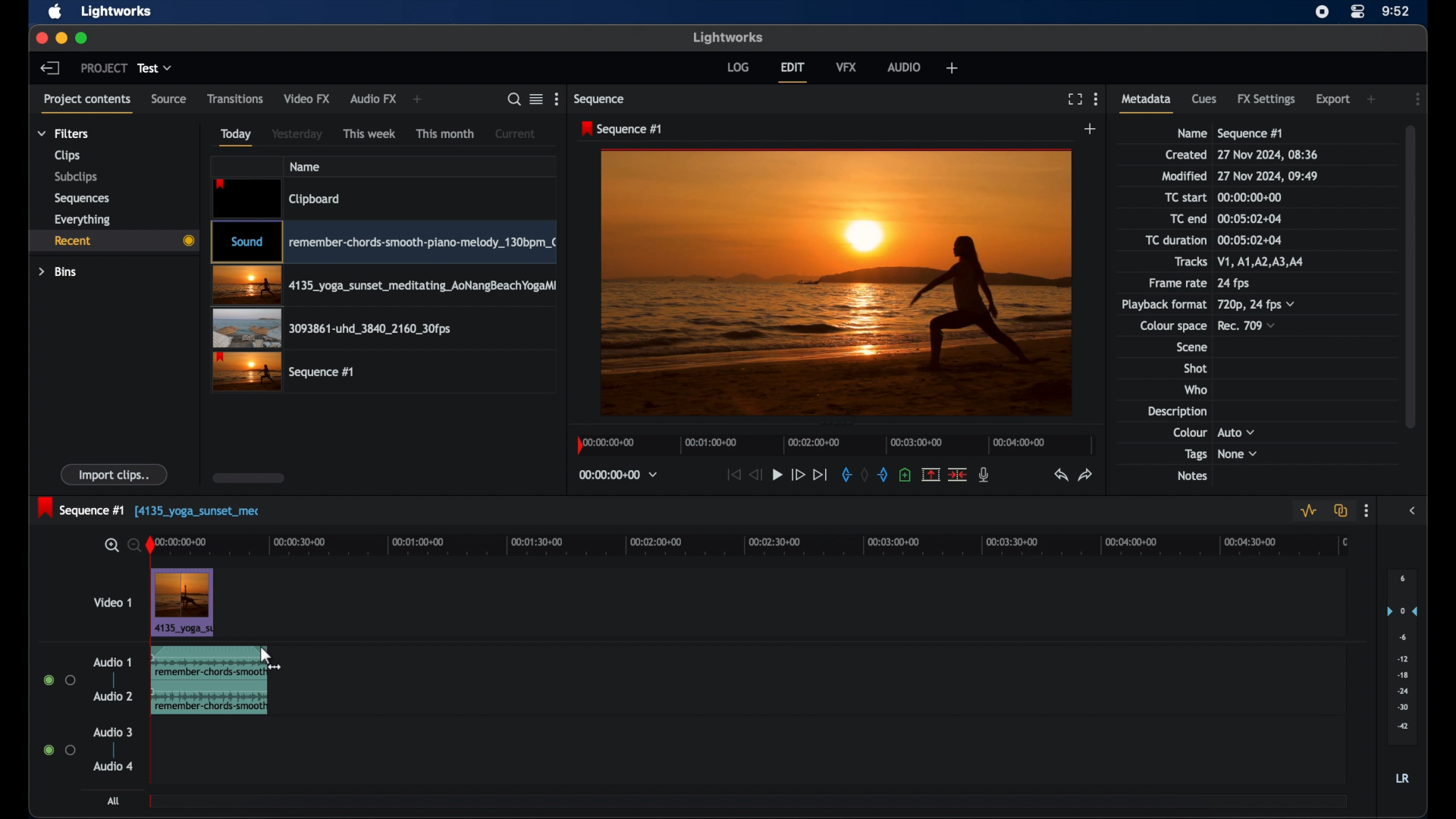 This screenshot has width=1456, height=819. Describe the element at coordinates (1253, 196) in the screenshot. I see `tc start` at that location.